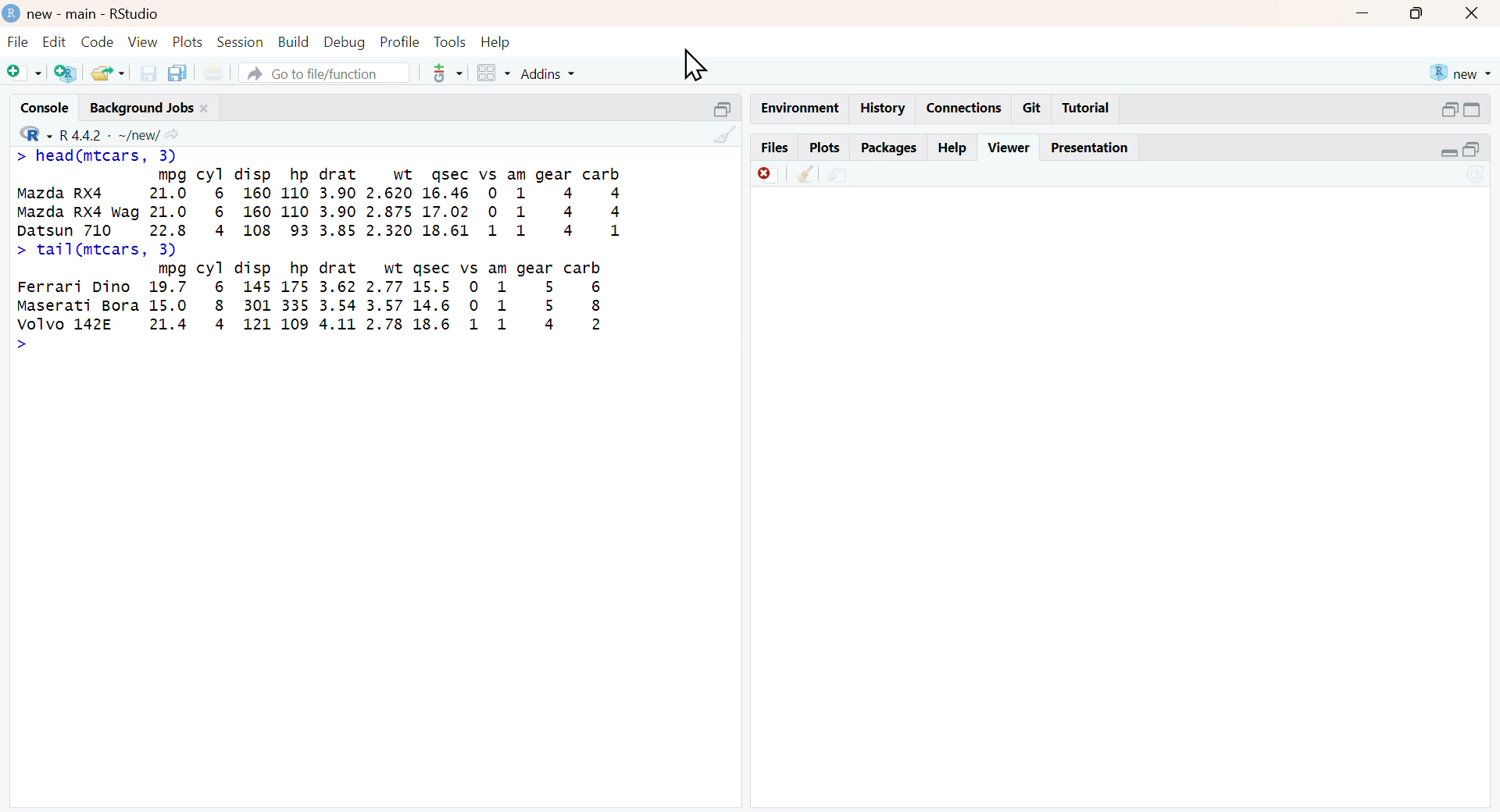 Image resolution: width=1500 pixels, height=812 pixels. What do you see at coordinates (1463, 72) in the screenshot?
I see `® new +` at bounding box center [1463, 72].